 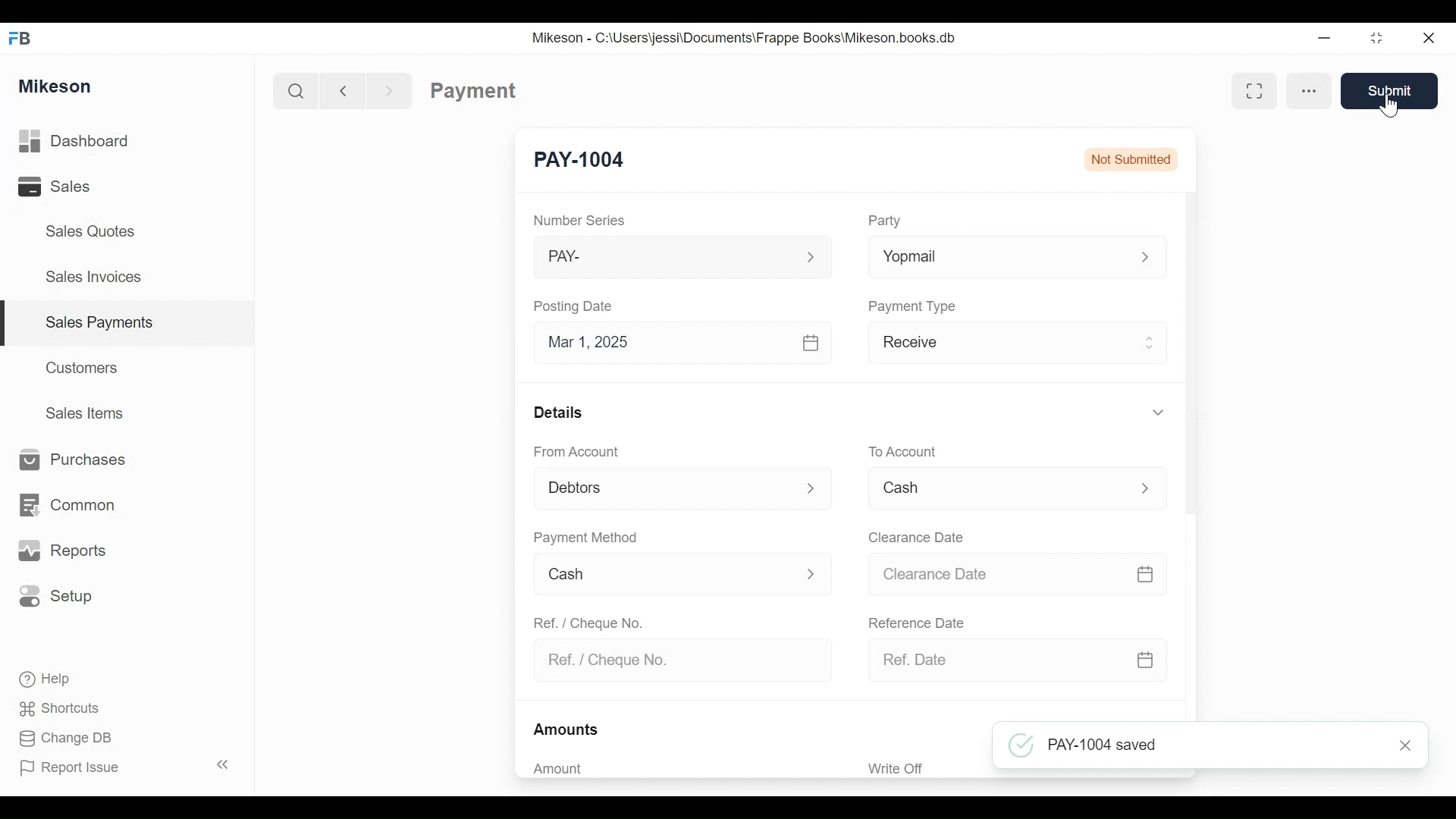 I want to click on Change DB, so click(x=70, y=739).